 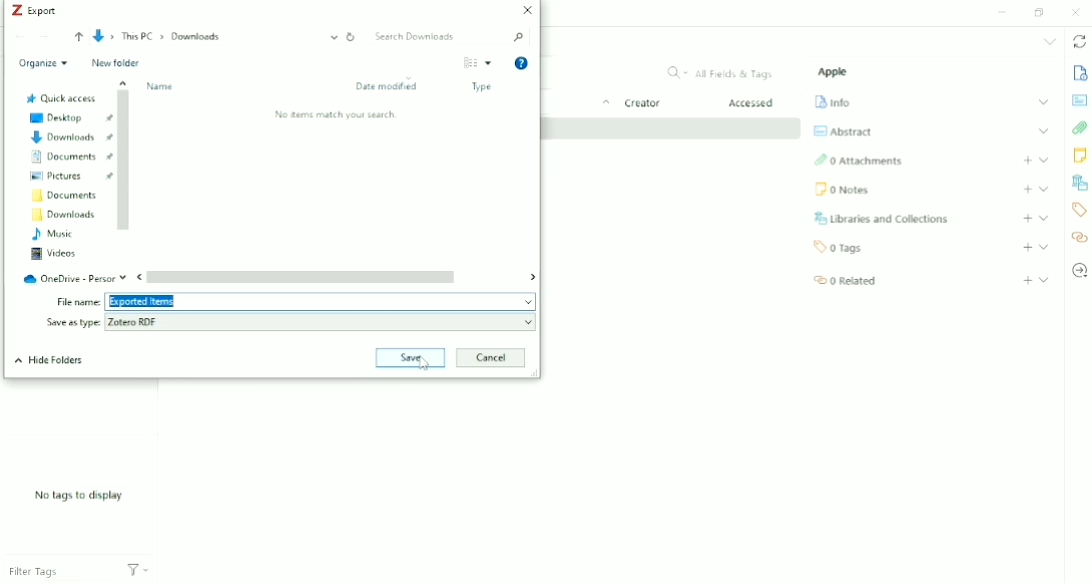 I want to click on Type, so click(x=483, y=88).